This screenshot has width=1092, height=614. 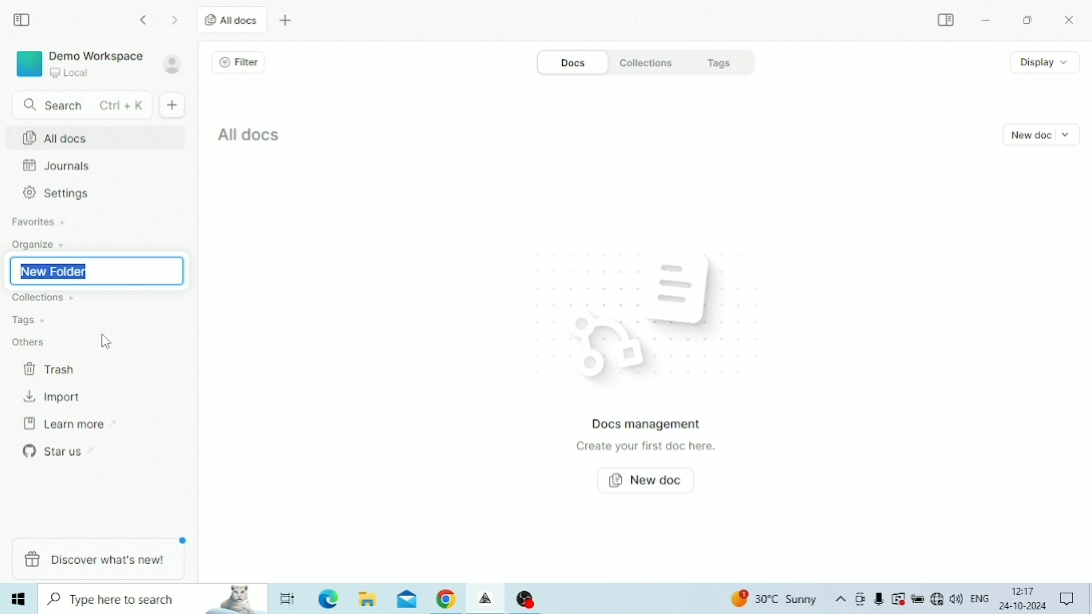 What do you see at coordinates (947, 19) in the screenshot?
I see `Expand sidebar` at bounding box center [947, 19].